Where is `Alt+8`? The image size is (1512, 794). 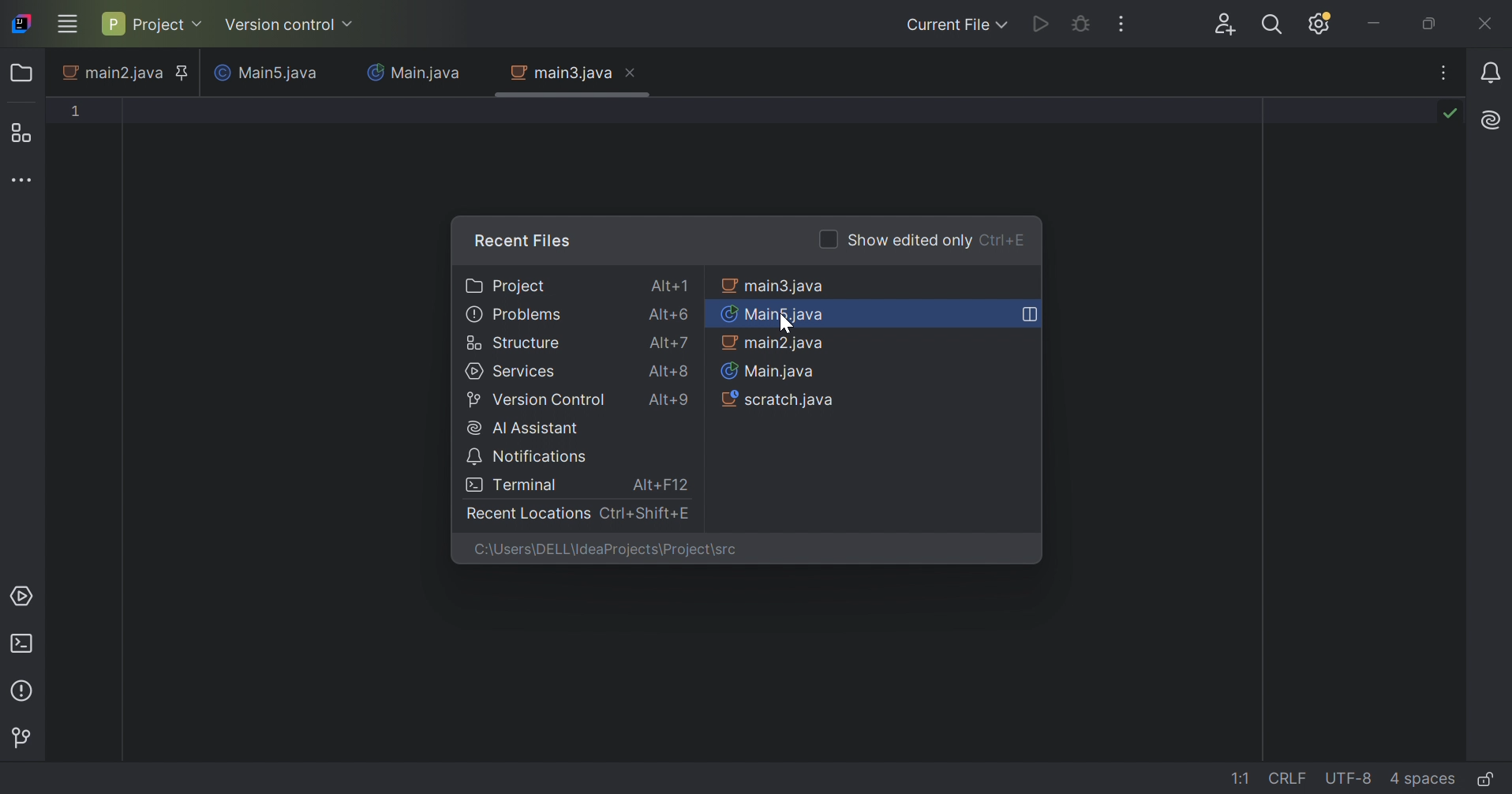
Alt+8 is located at coordinates (668, 370).